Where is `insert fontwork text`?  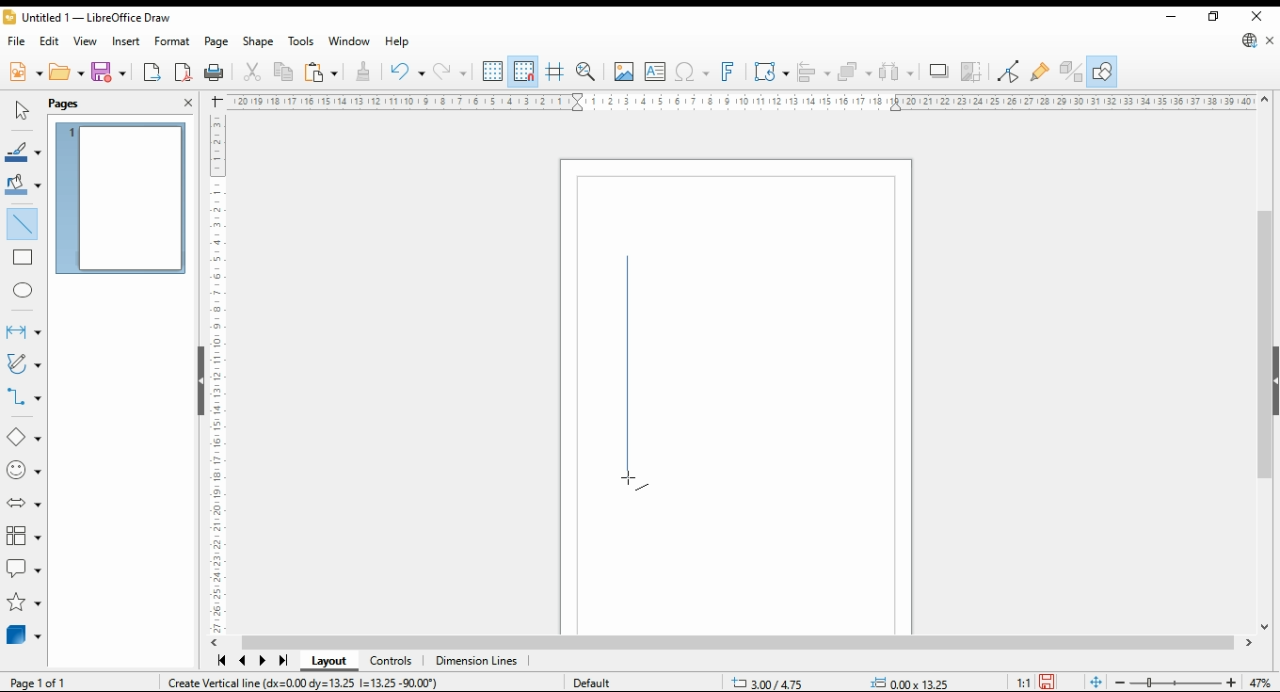
insert fontwork text is located at coordinates (728, 72).